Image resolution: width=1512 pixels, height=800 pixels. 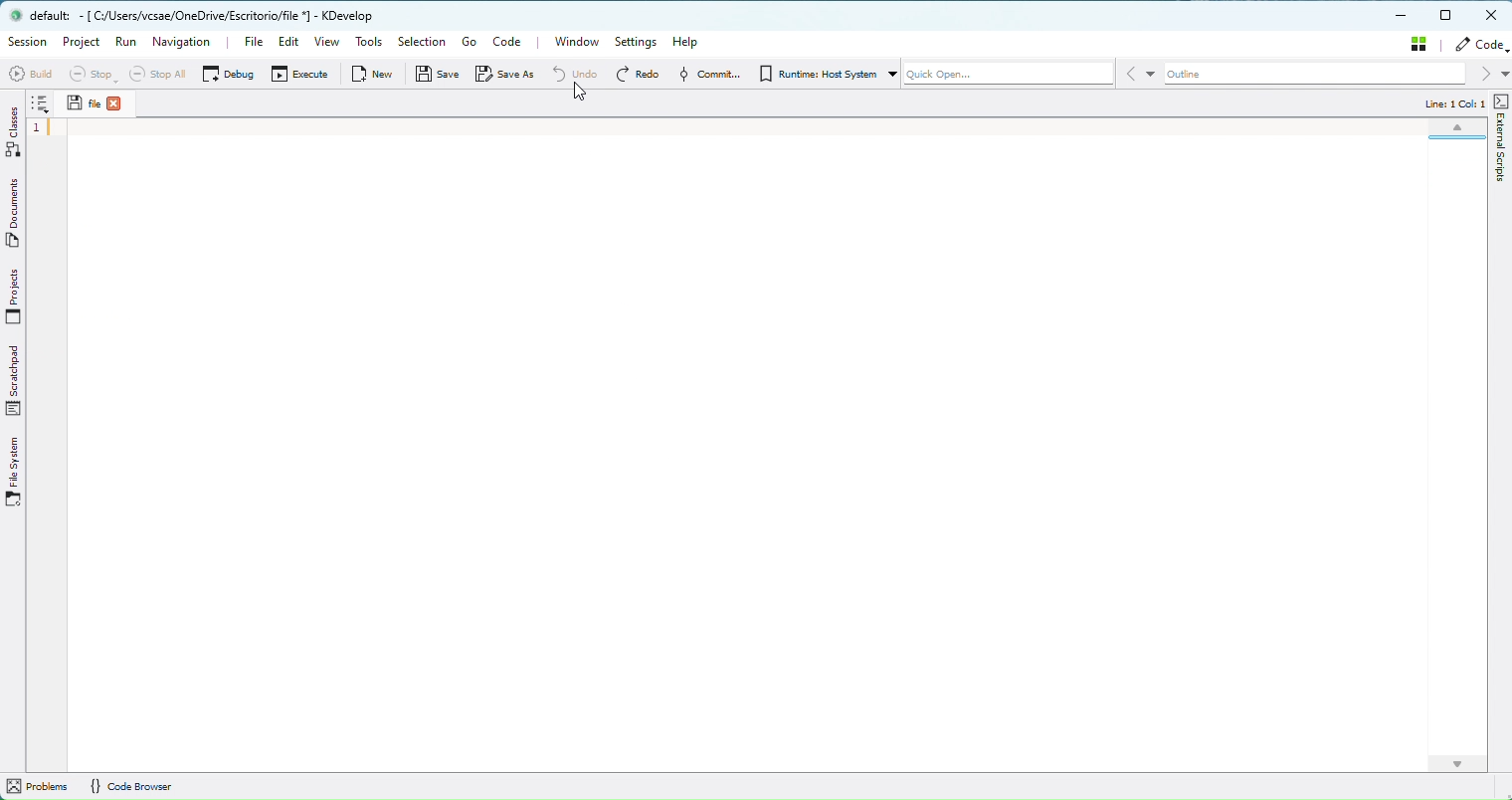 What do you see at coordinates (709, 76) in the screenshot?
I see `Commmit` at bounding box center [709, 76].